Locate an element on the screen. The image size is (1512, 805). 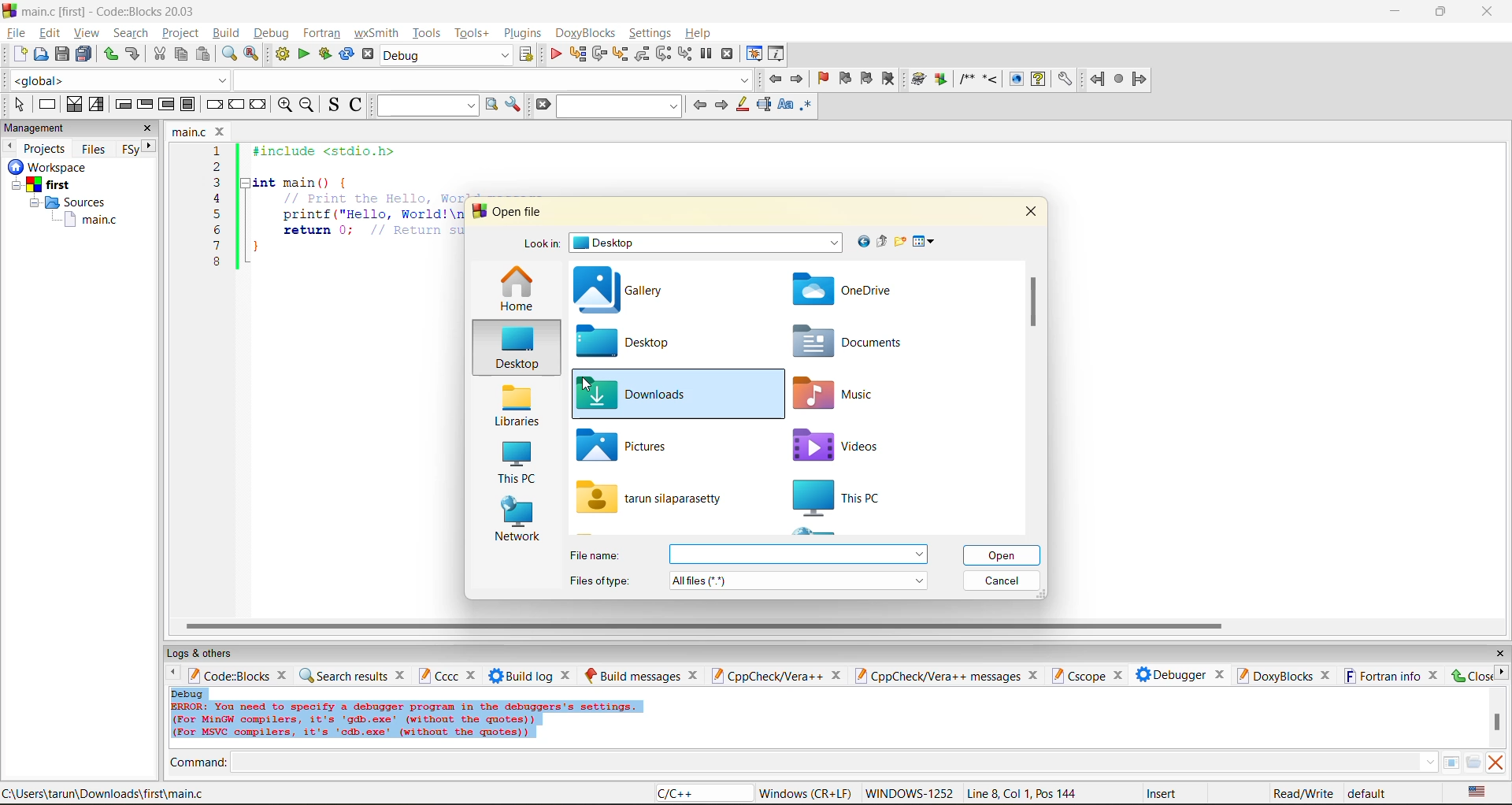
previous bookmark is located at coordinates (845, 78).